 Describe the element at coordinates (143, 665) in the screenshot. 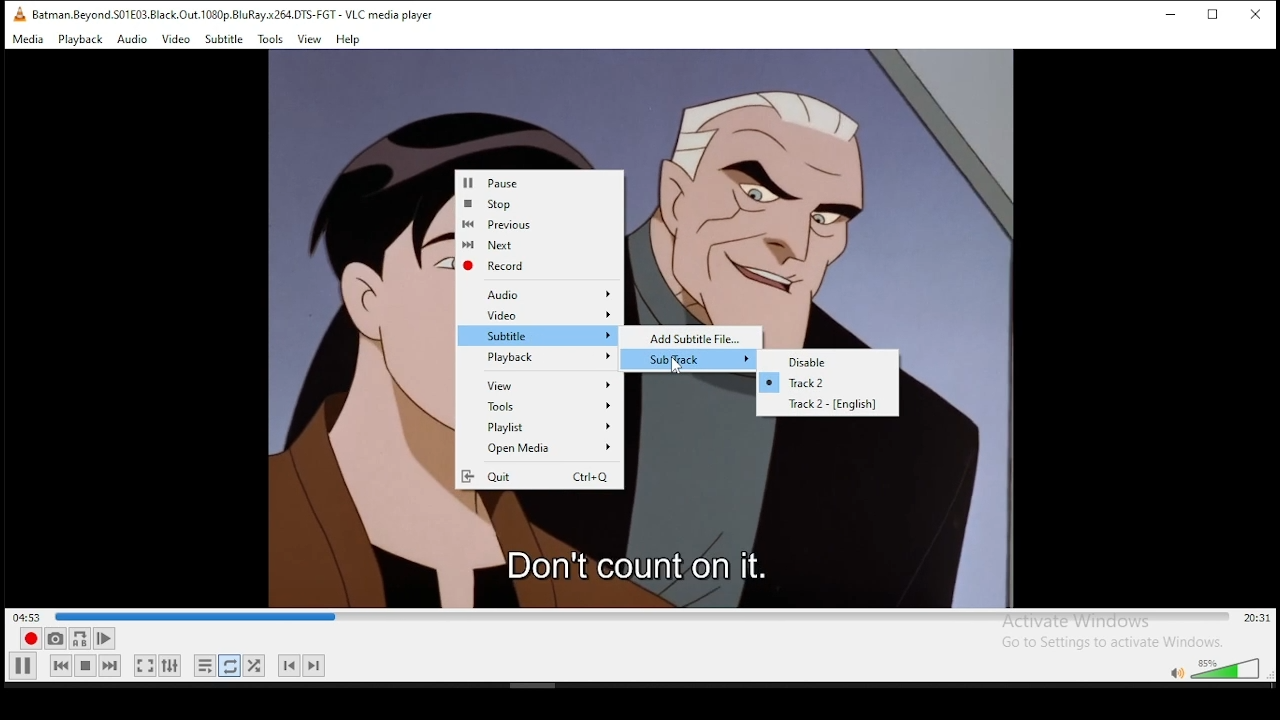

I see `full screen` at that location.